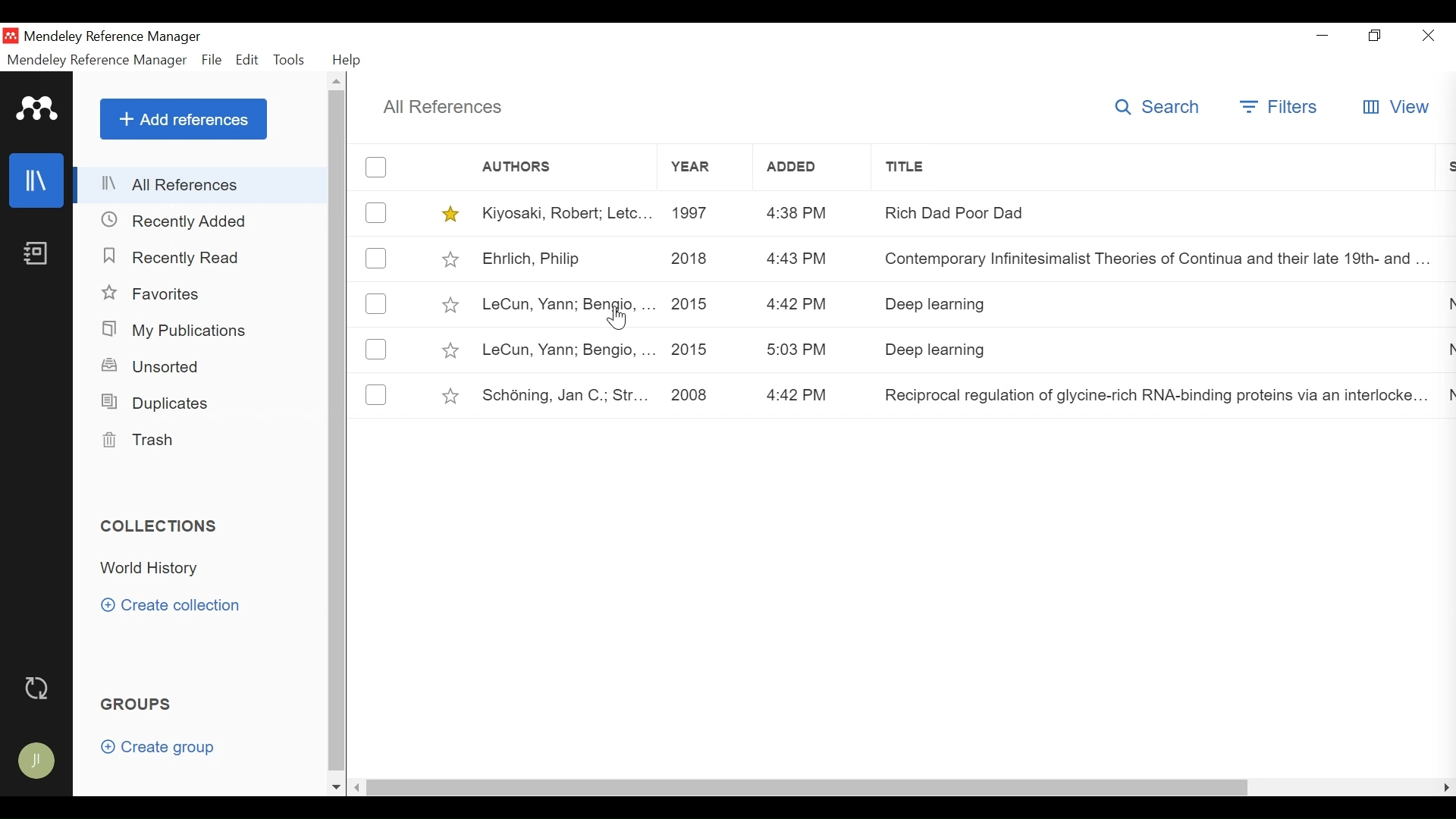  What do you see at coordinates (376, 394) in the screenshot?
I see `(un)select` at bounding box center [376, 394].